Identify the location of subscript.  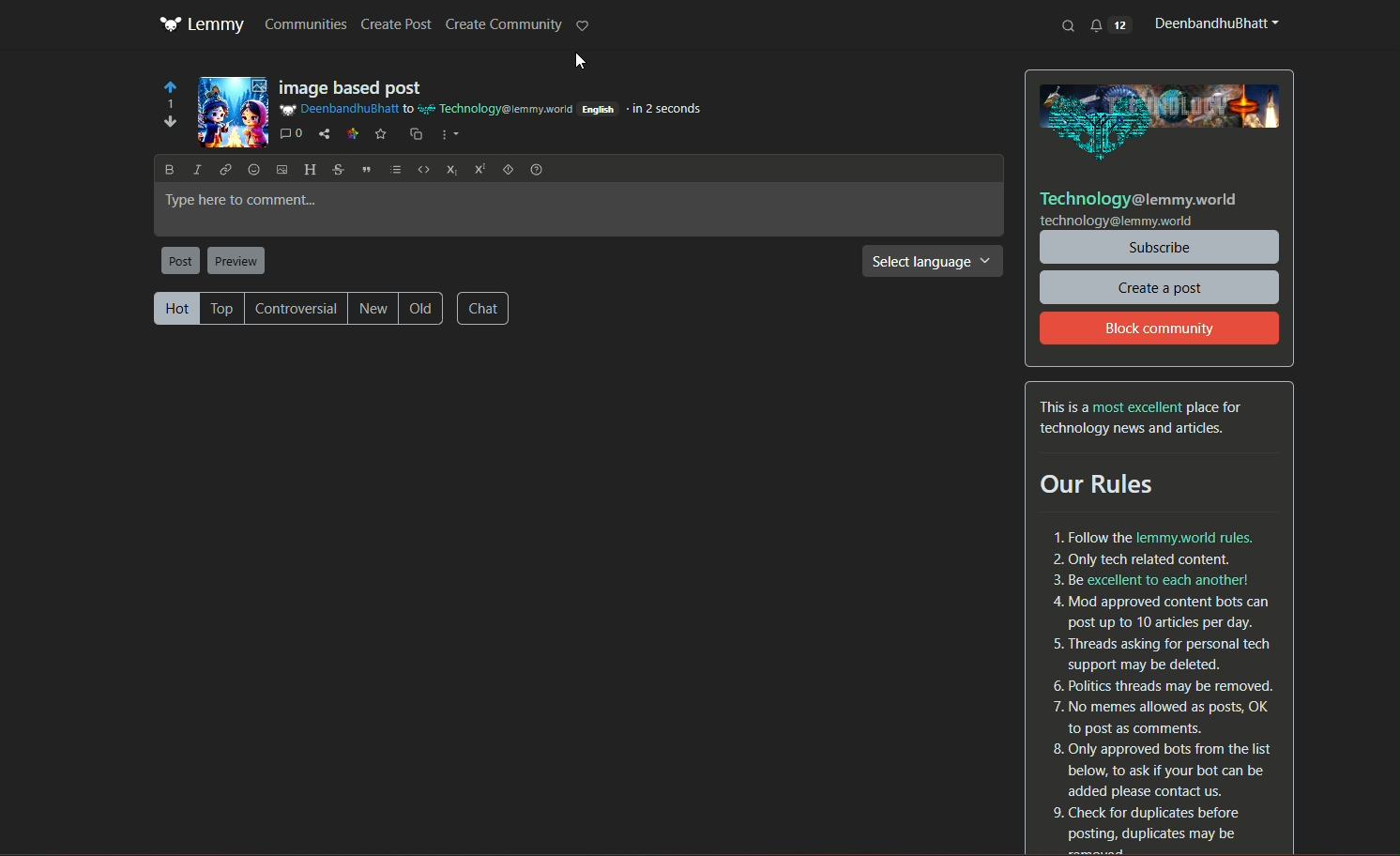
(449, 168).